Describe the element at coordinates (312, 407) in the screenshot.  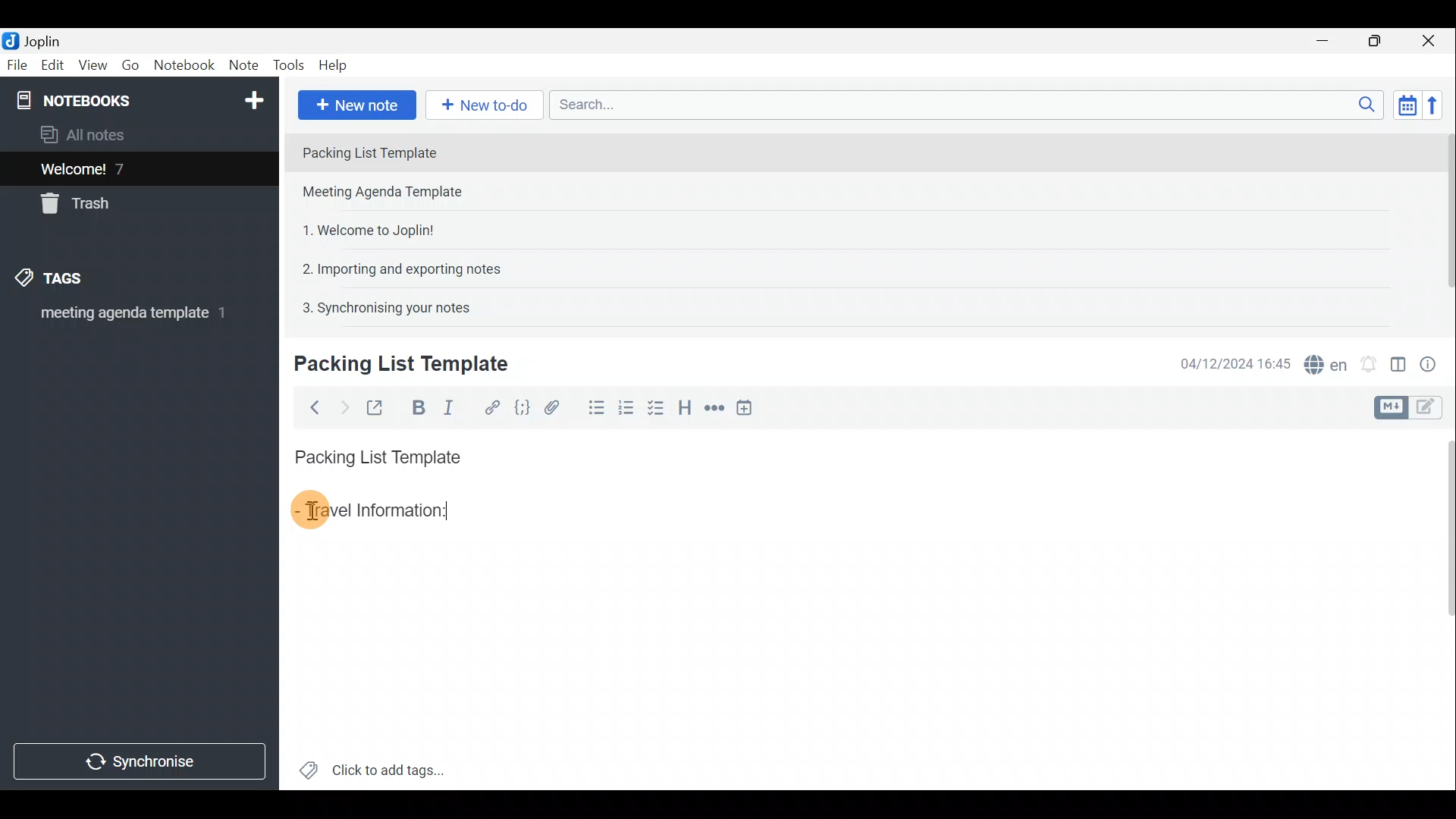
I see `Back` at that location.